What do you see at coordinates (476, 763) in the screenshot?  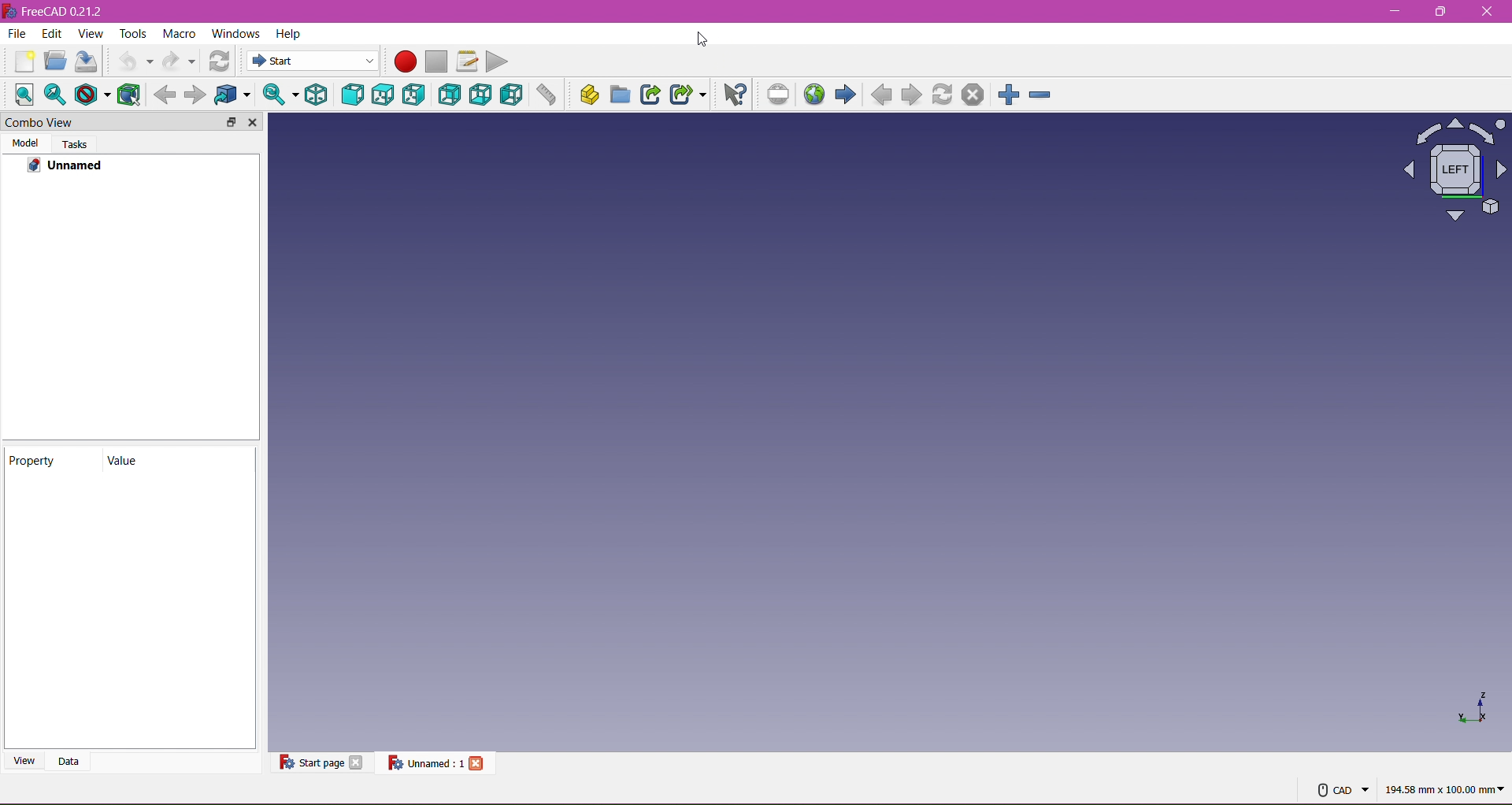 I see `Close` at bounding box center [476, 763].